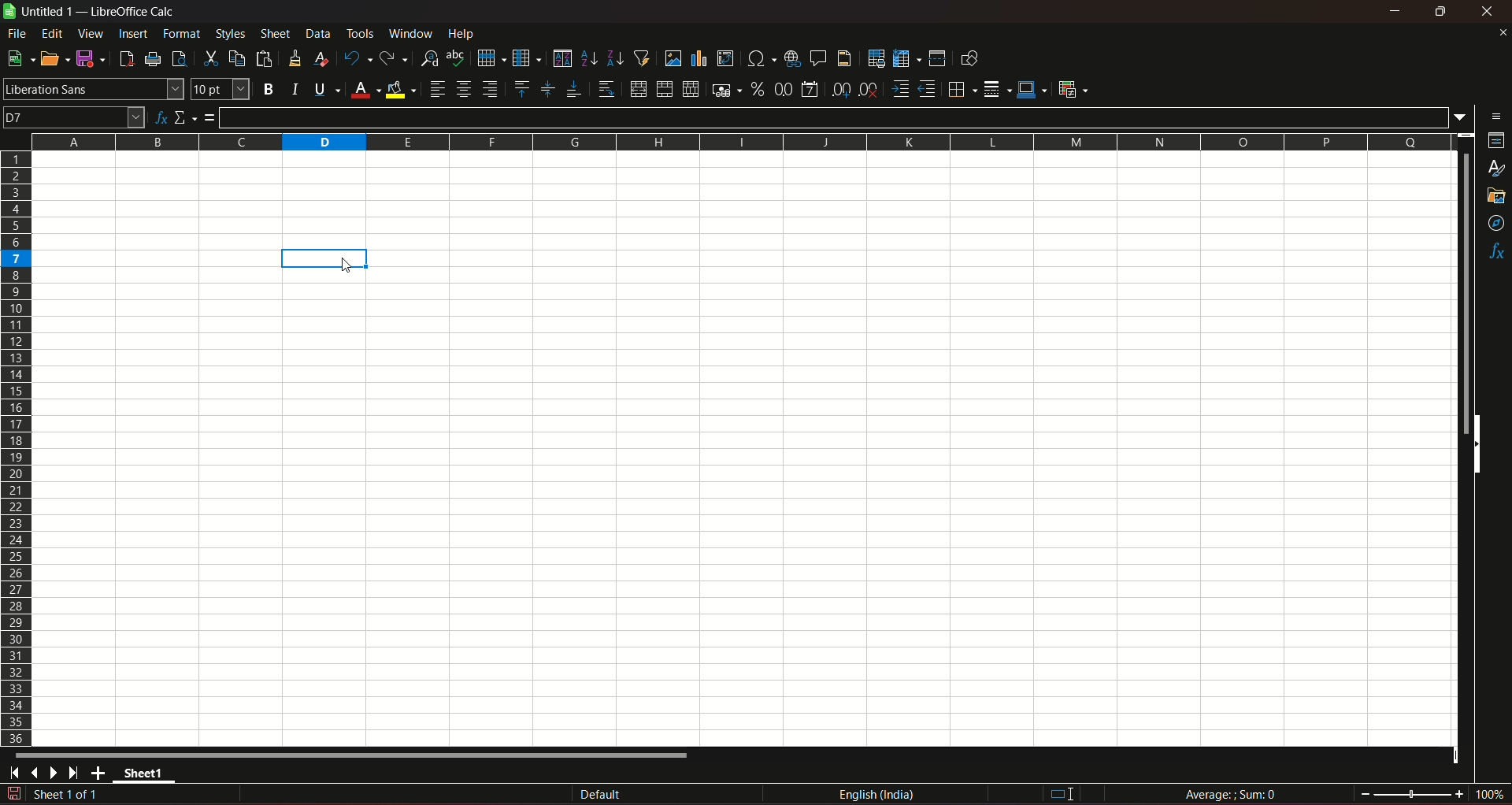 The height and width of the screenshot is (805, 1512). I want to click on paste, so click(266, 58).